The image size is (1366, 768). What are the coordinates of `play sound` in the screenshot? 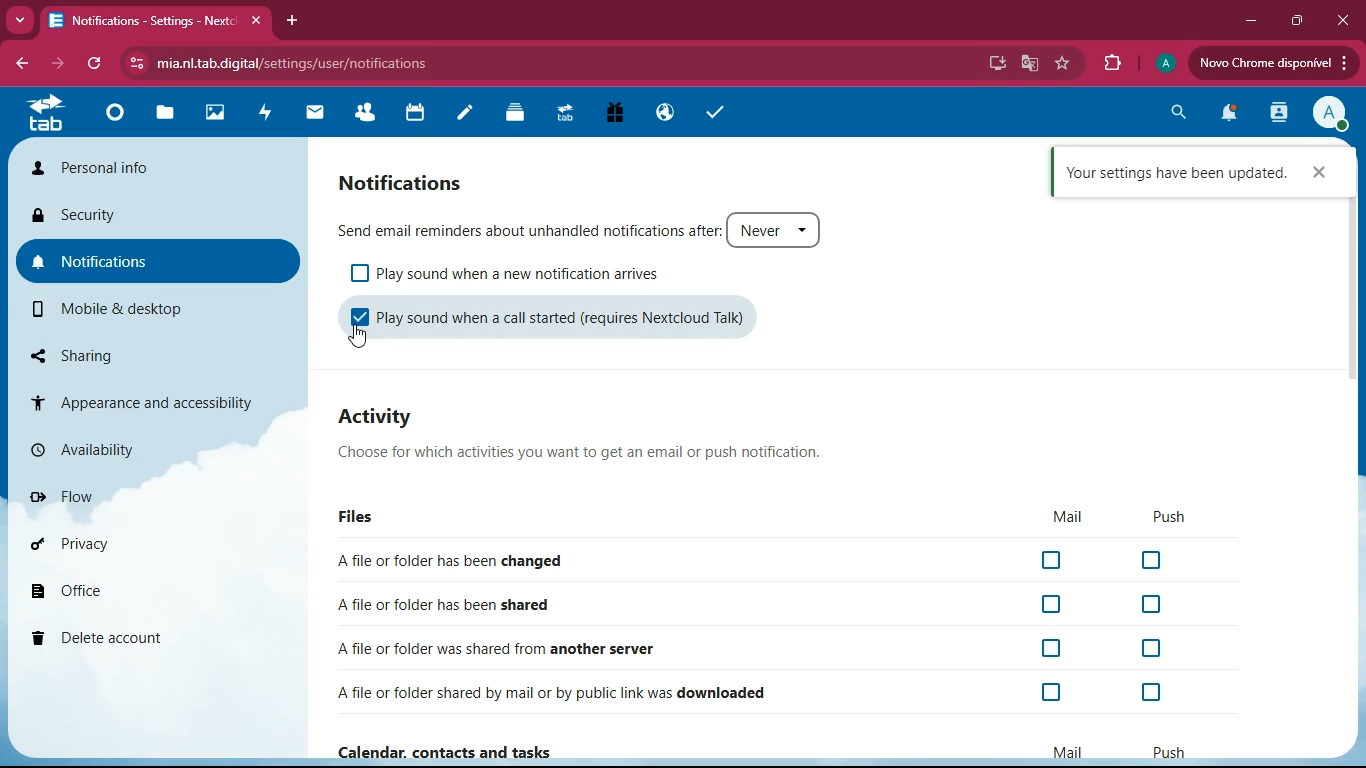 It's located at (534, 275).